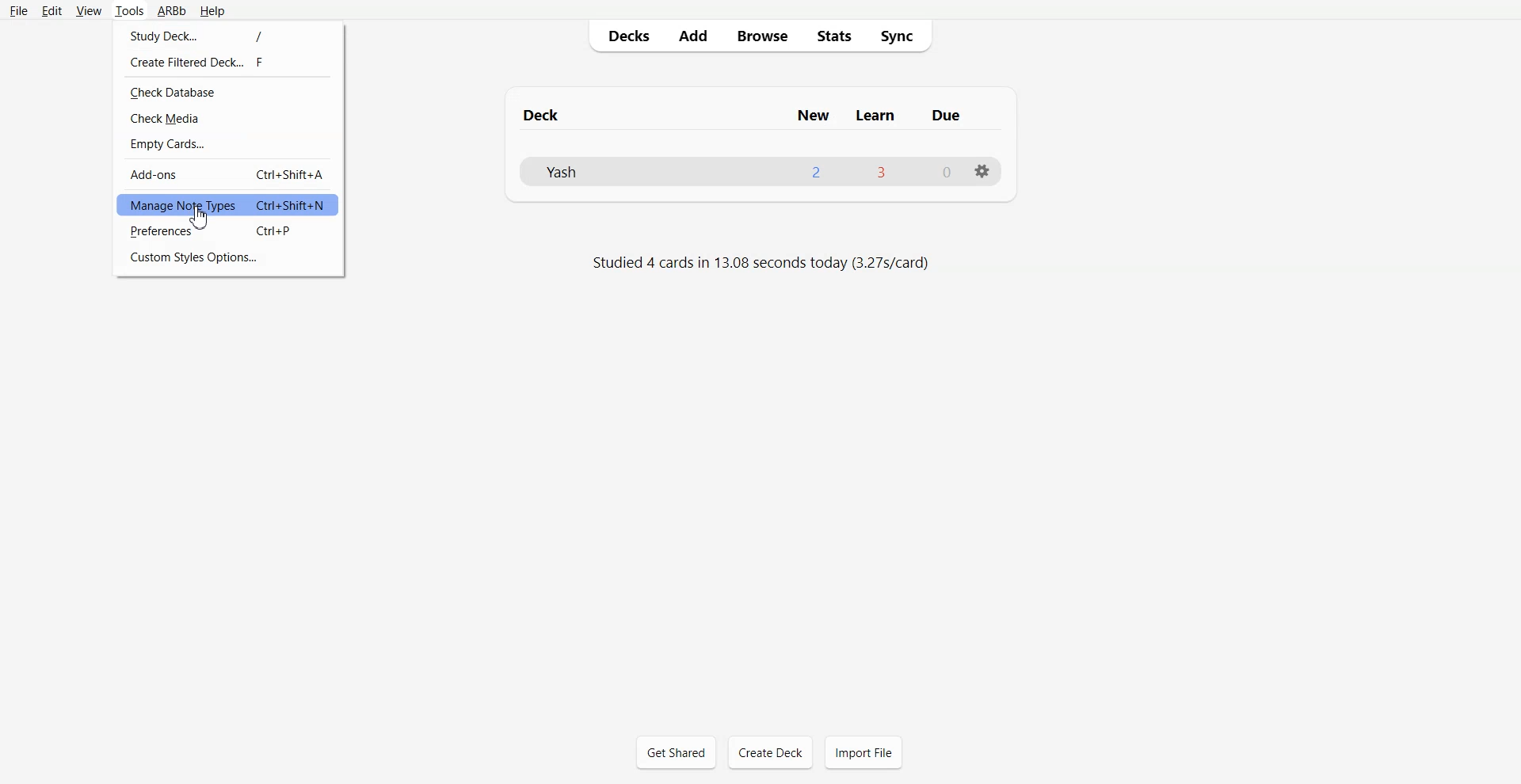 The width and height of the screenshot is (1521, 784). I want to click on Sync, so click(902, 36).